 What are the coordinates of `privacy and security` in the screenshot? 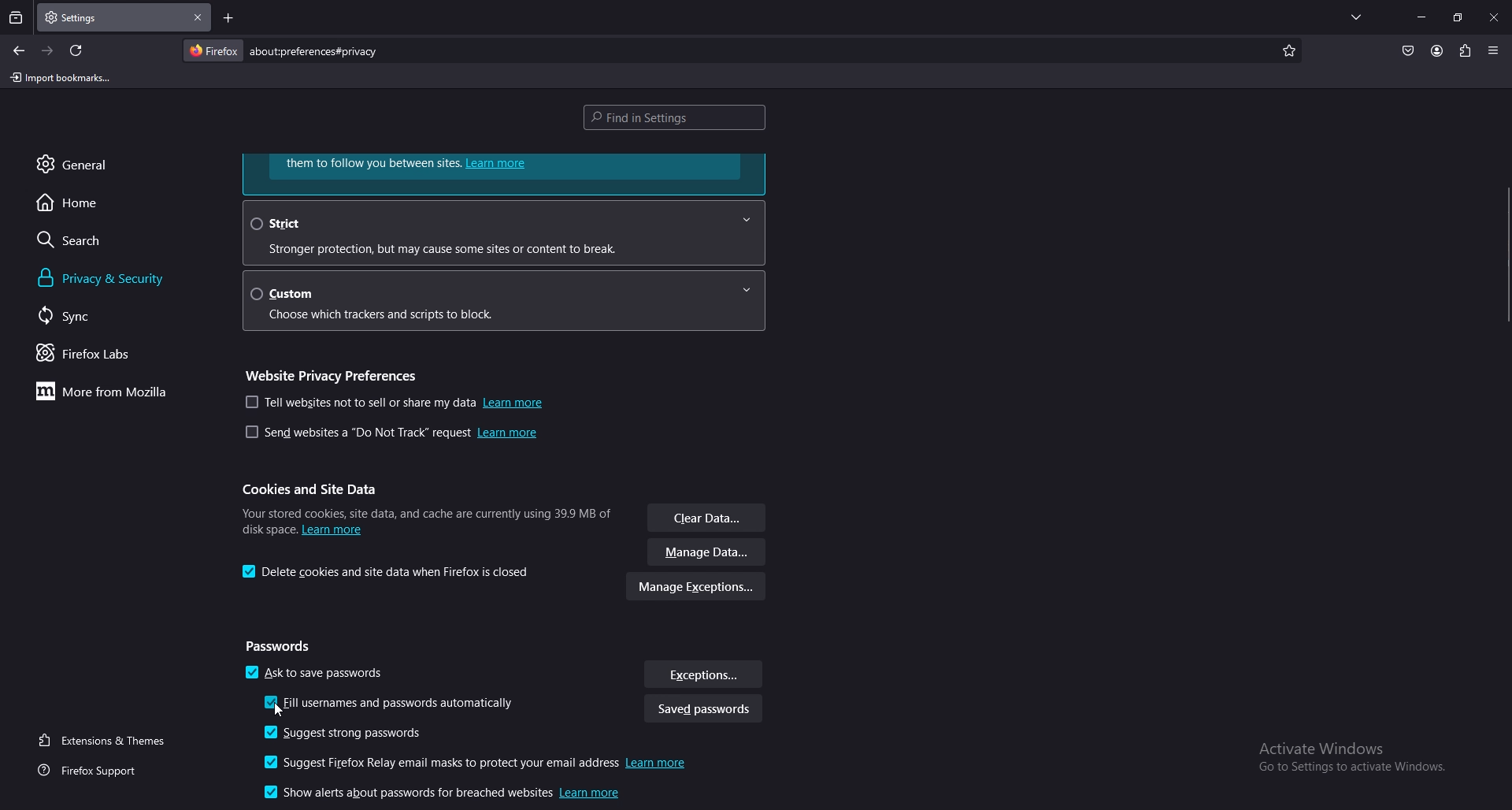 It's located at (128, 278).